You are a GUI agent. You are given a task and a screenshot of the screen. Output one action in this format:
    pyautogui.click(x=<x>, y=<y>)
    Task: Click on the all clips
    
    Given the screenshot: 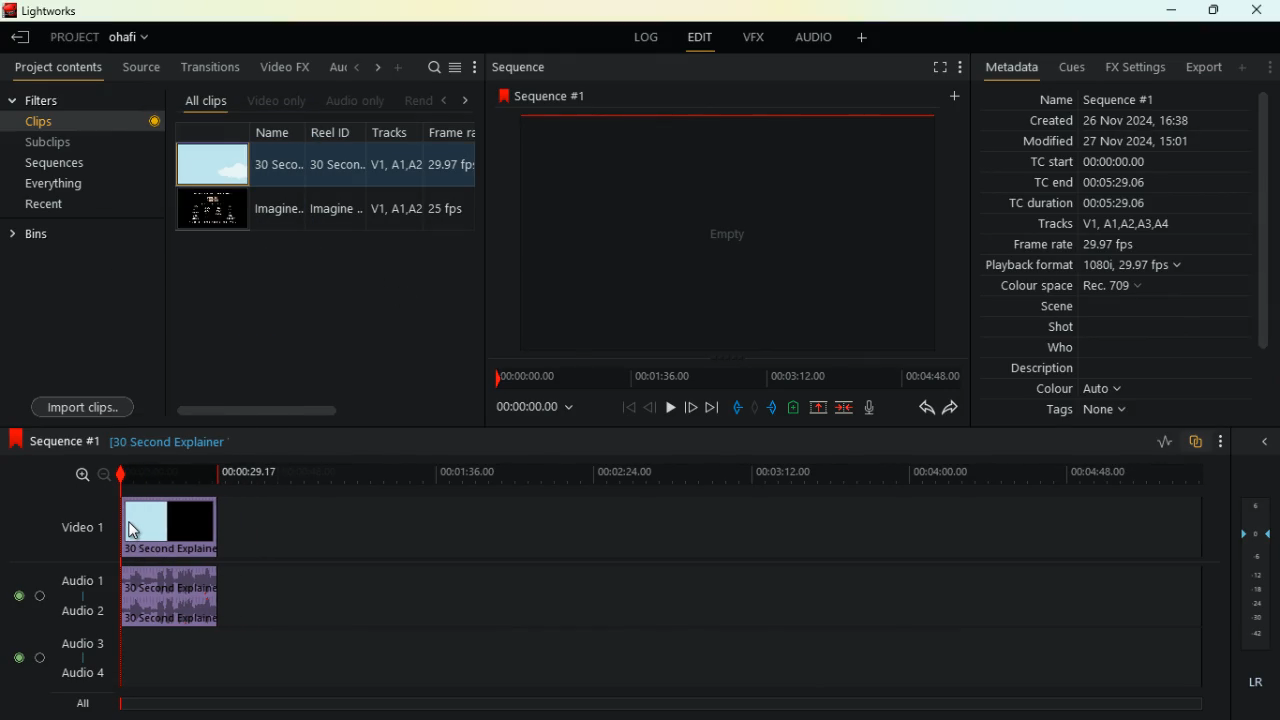 What is the action you would take?
    pyautogui.click(x=205, y=103)
    